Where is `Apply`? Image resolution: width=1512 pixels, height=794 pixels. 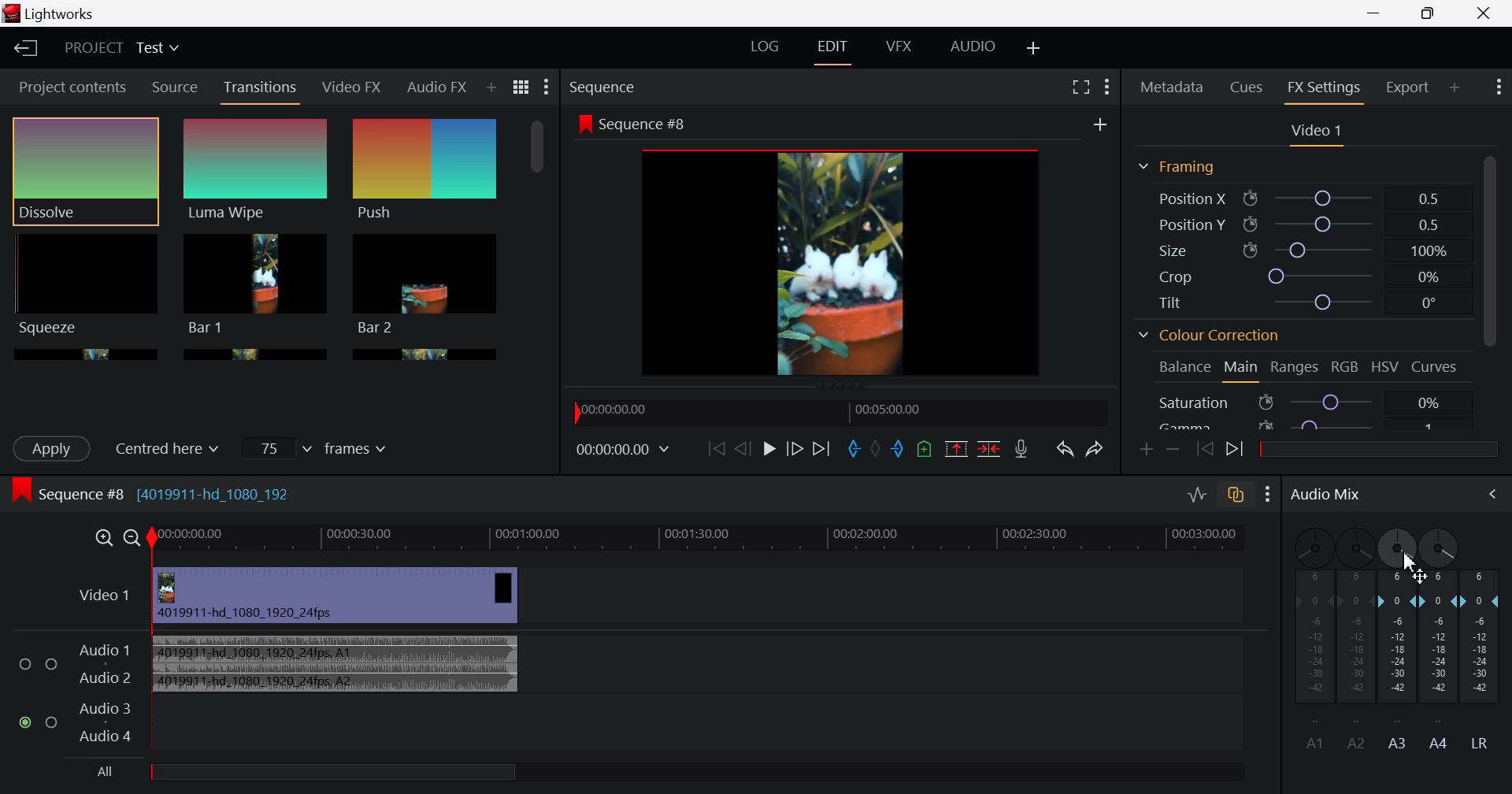 Apply is located at coordinates (54, 448).